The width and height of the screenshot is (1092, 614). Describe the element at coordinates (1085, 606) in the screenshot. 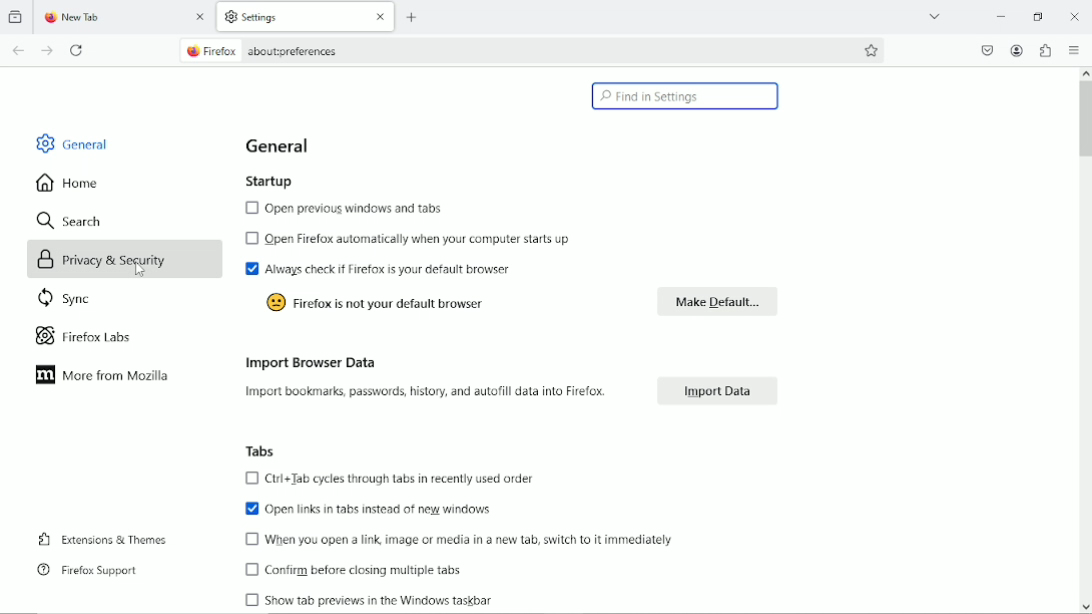

I see `scroll down` at that location.